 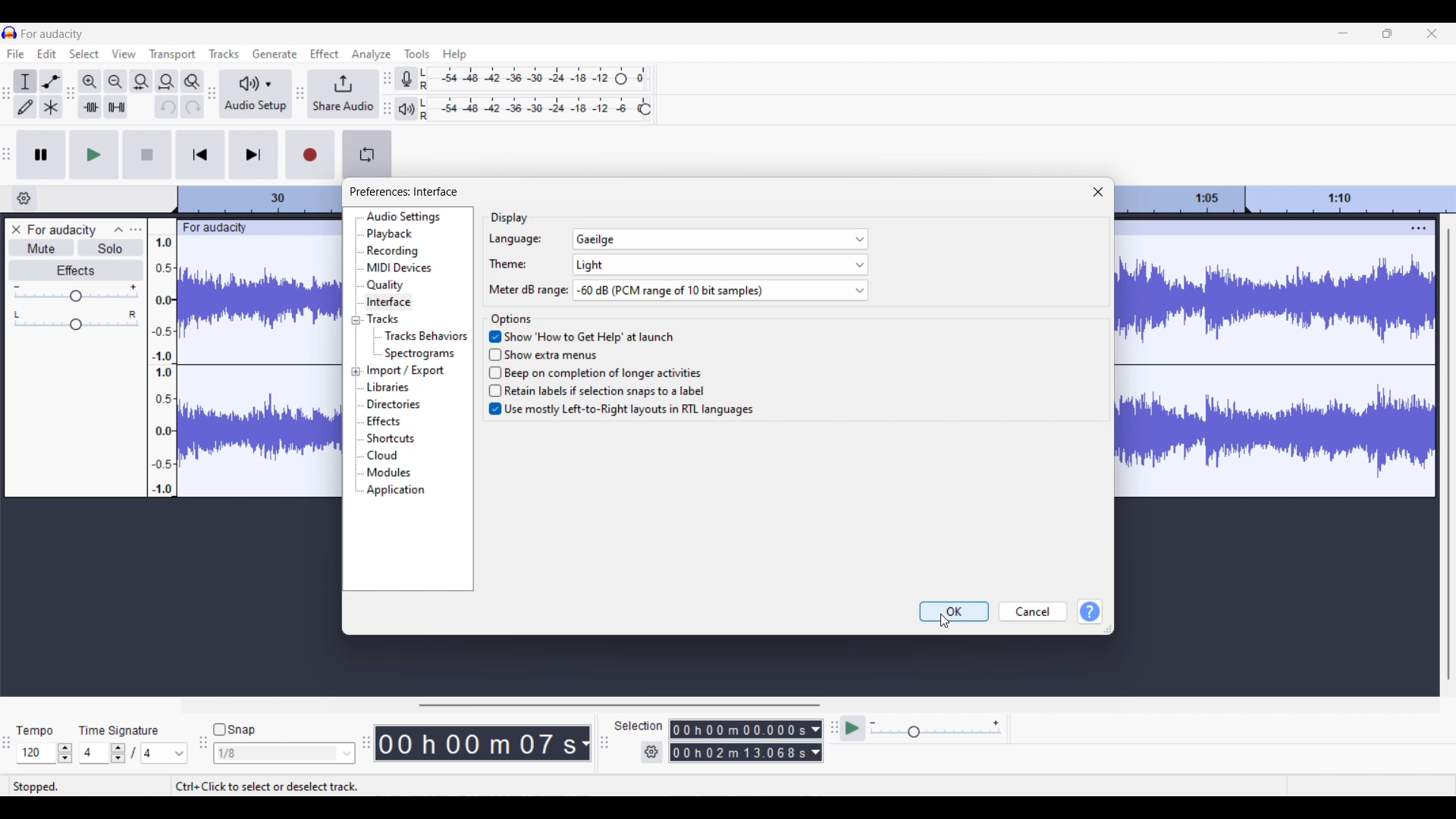 What do you see at coordinates (557, 353) in the screenshot?
I see `Show extra menus` at bounding box center [557, 353].